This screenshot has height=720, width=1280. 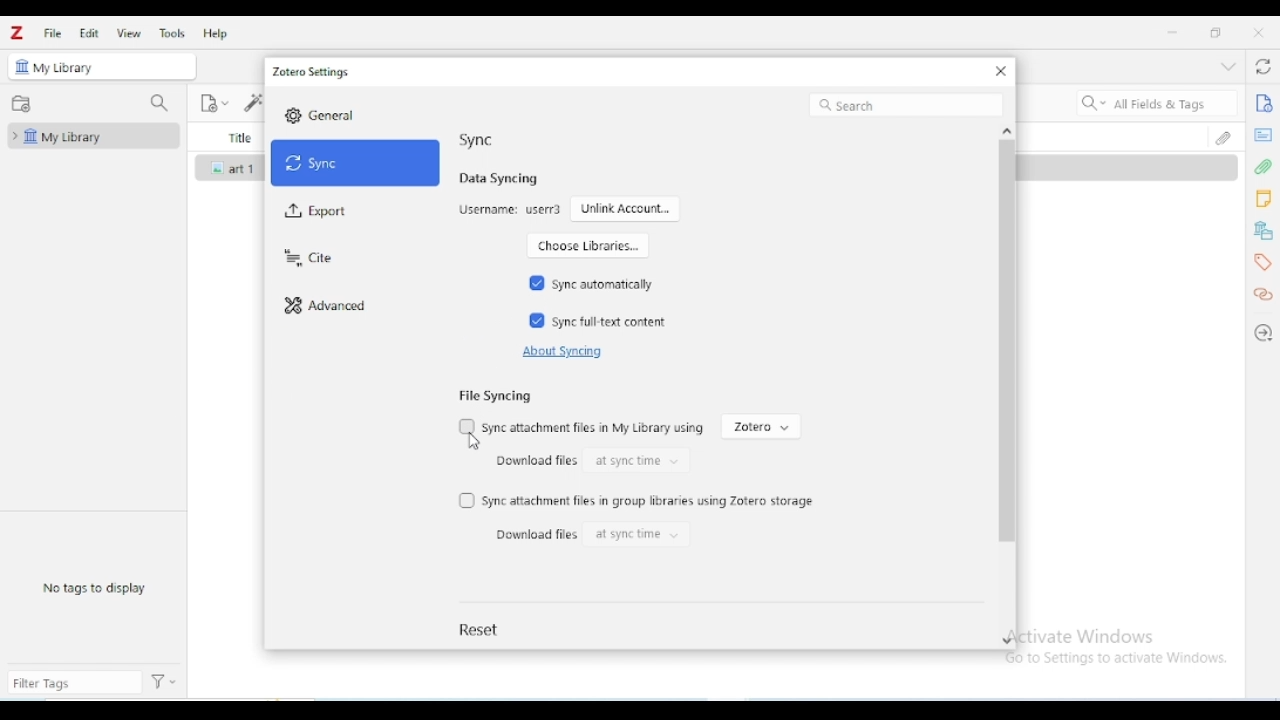 What do you see at coordinates (1155, 103) in the screenshot?
I see `search all fields & tags` at bounding box center [1155, 103].